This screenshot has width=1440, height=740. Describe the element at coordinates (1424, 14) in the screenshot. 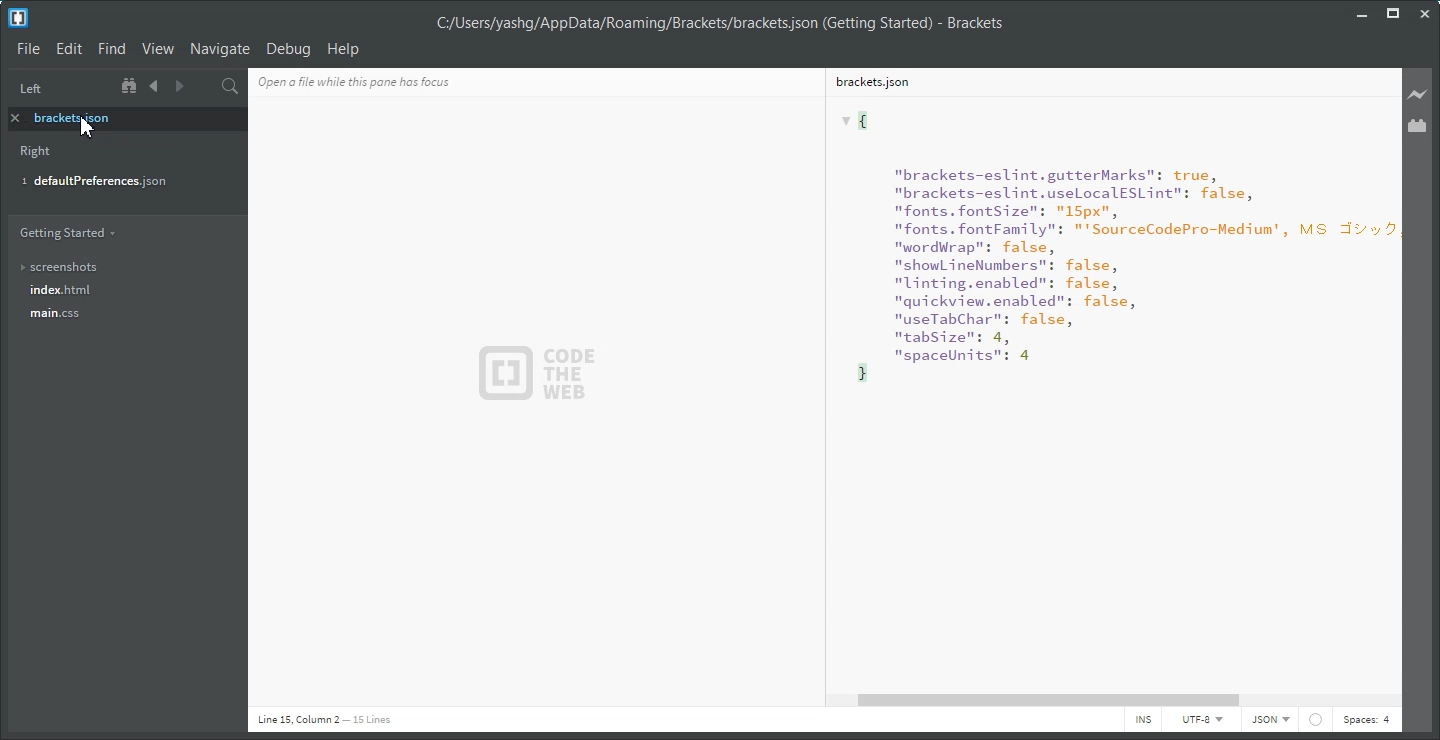

I see `Close` at that location.